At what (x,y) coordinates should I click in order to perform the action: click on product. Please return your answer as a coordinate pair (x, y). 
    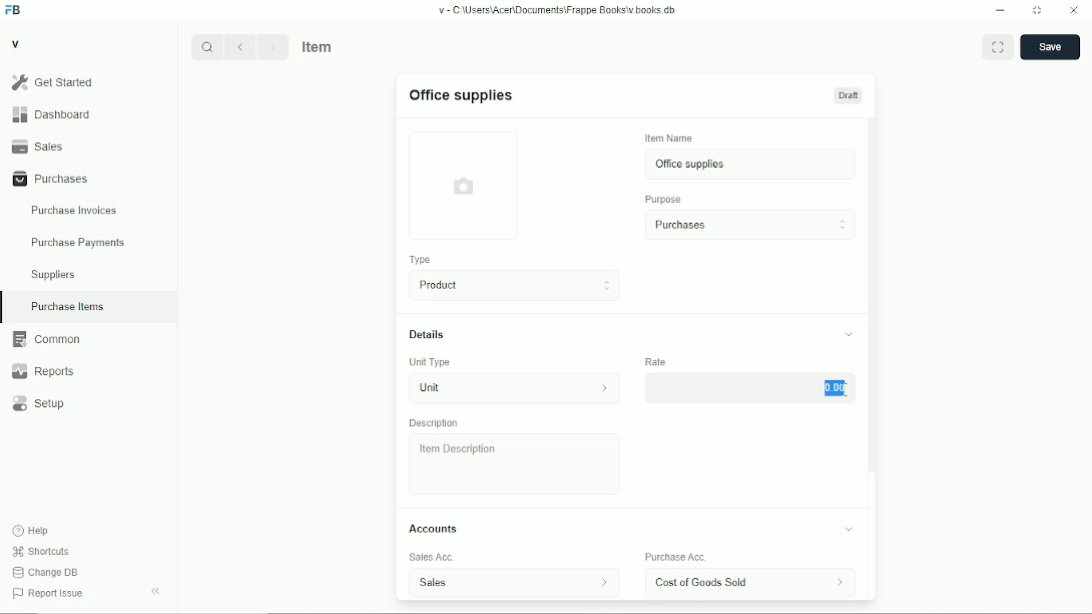
    Looking at the image, I should click on (516, 285).